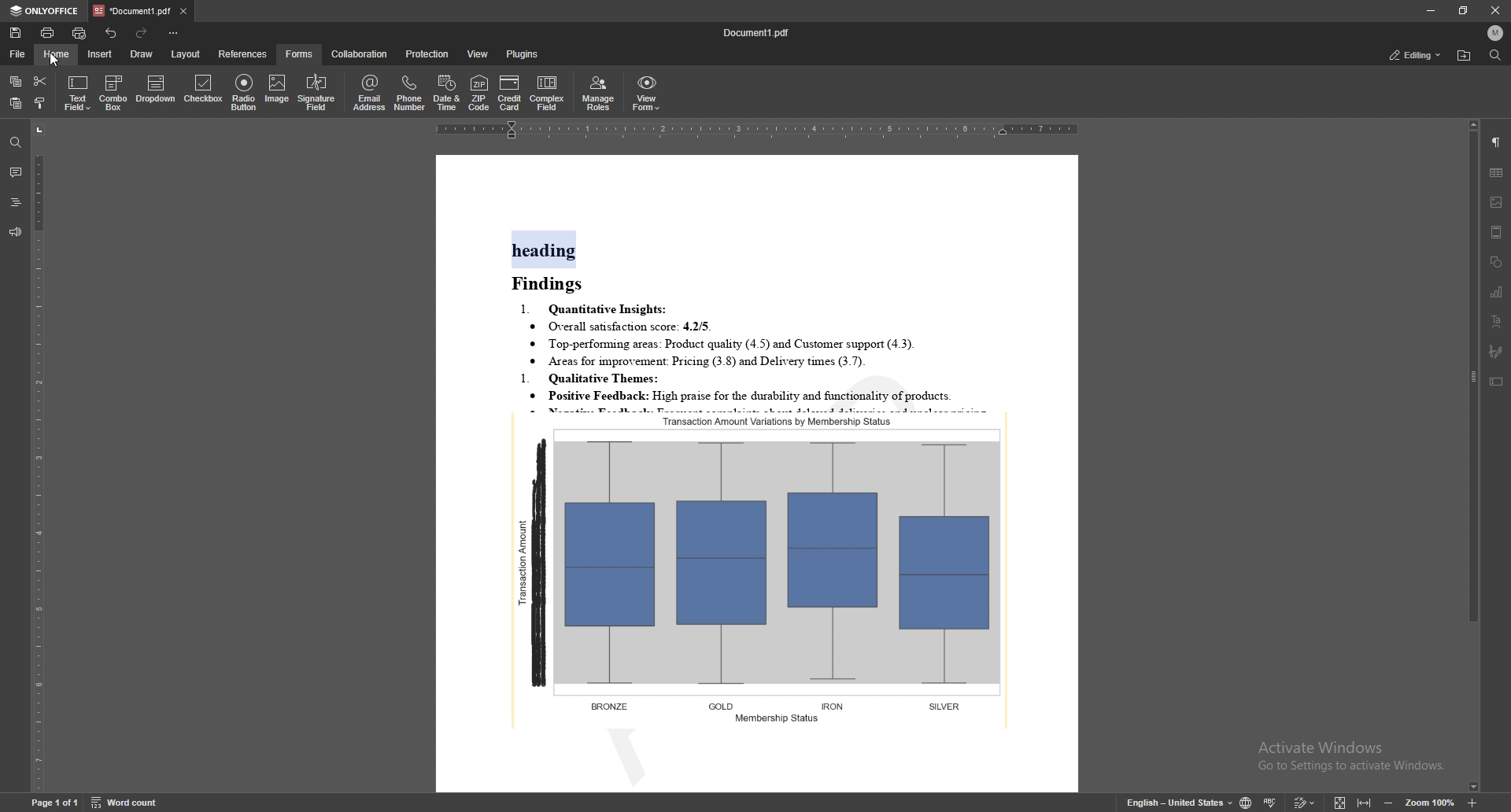 This screenshot has height=812, width=1511. I want to click on heading, so click(545, 250).